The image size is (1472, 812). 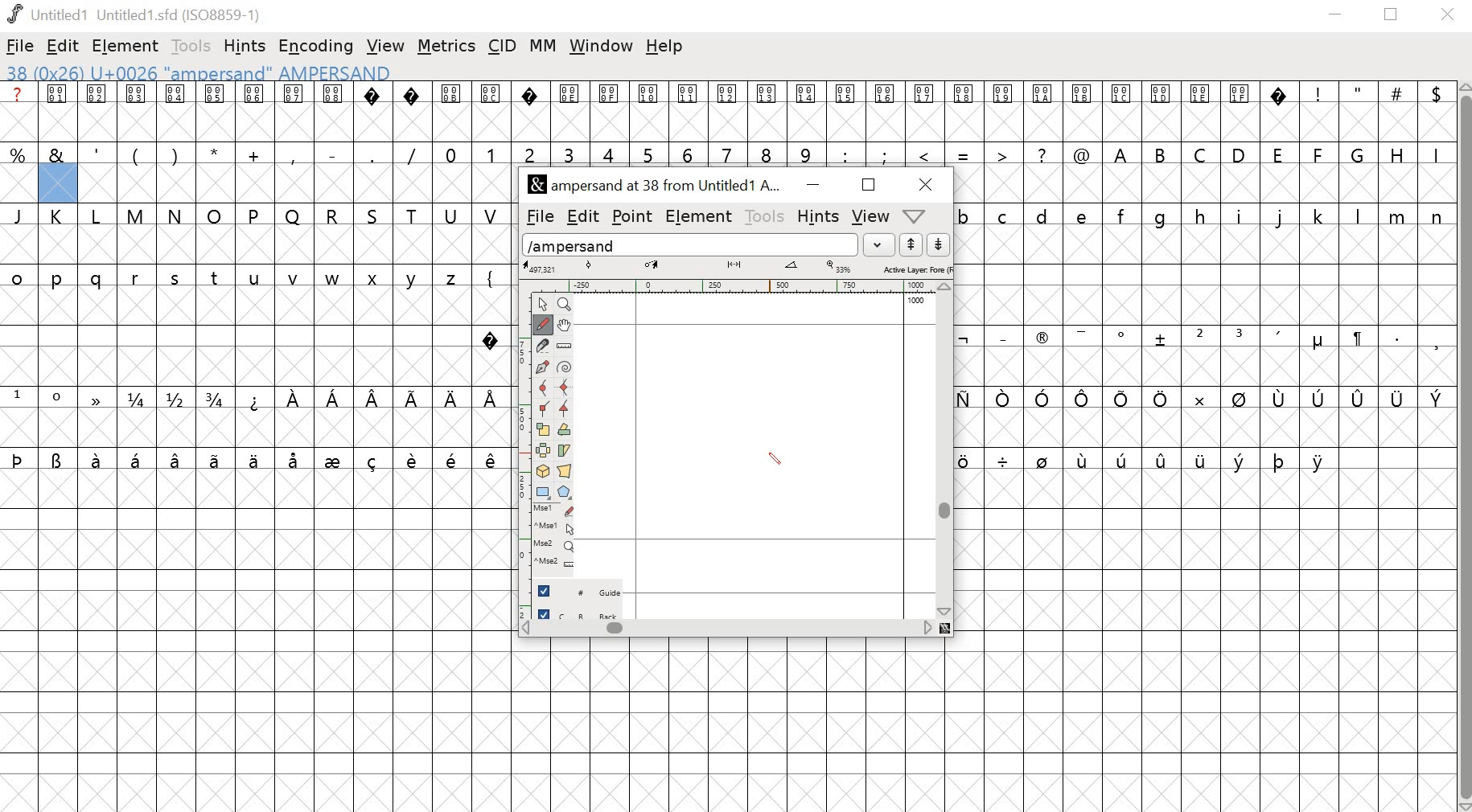 What do you see at coordinates (1397, 113) in the screenshot?
I see `#` at bounding box center [1397, 113].